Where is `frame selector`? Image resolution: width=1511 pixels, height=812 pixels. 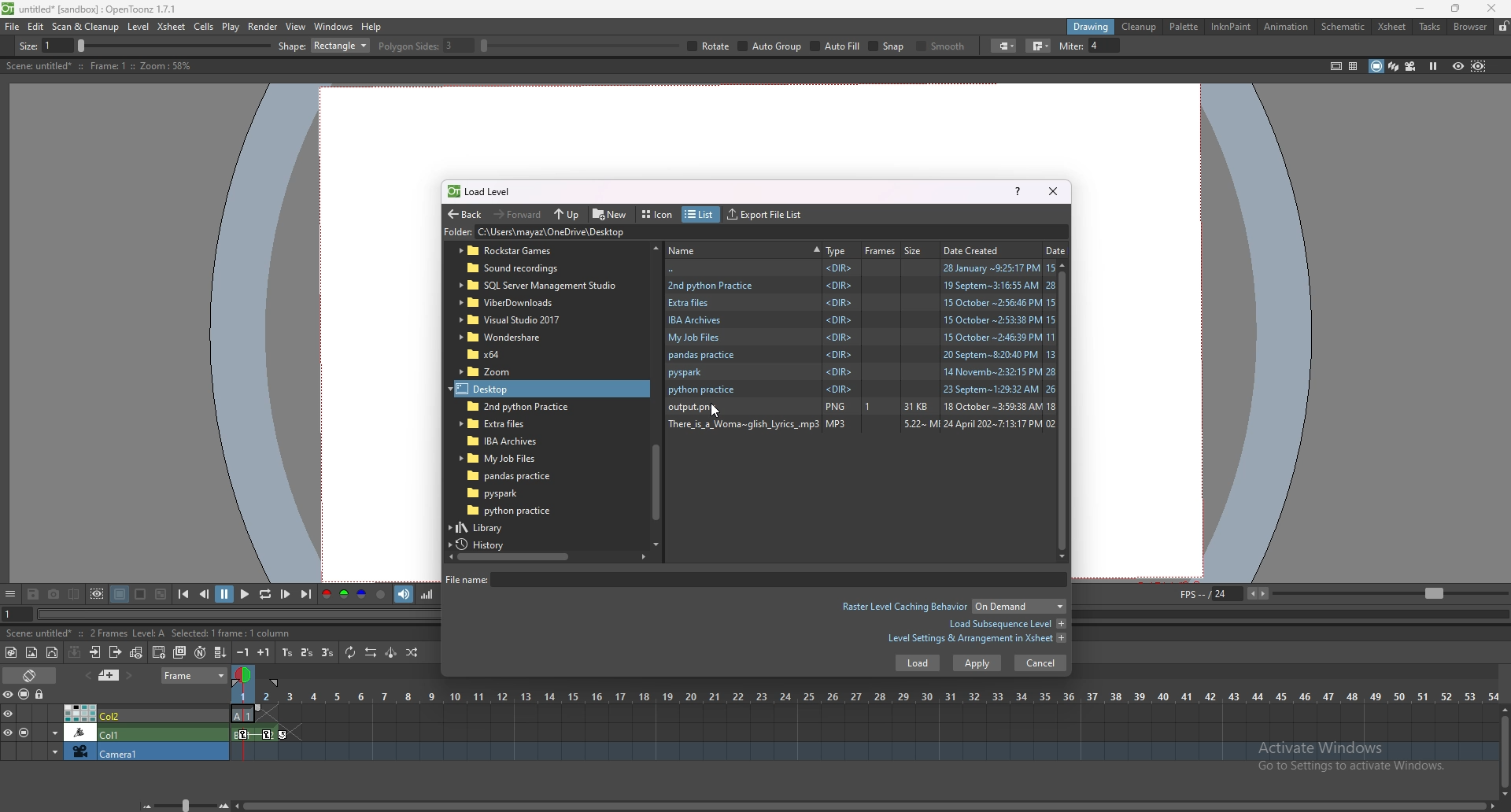
frame selector is located at coordinates (245, 674).